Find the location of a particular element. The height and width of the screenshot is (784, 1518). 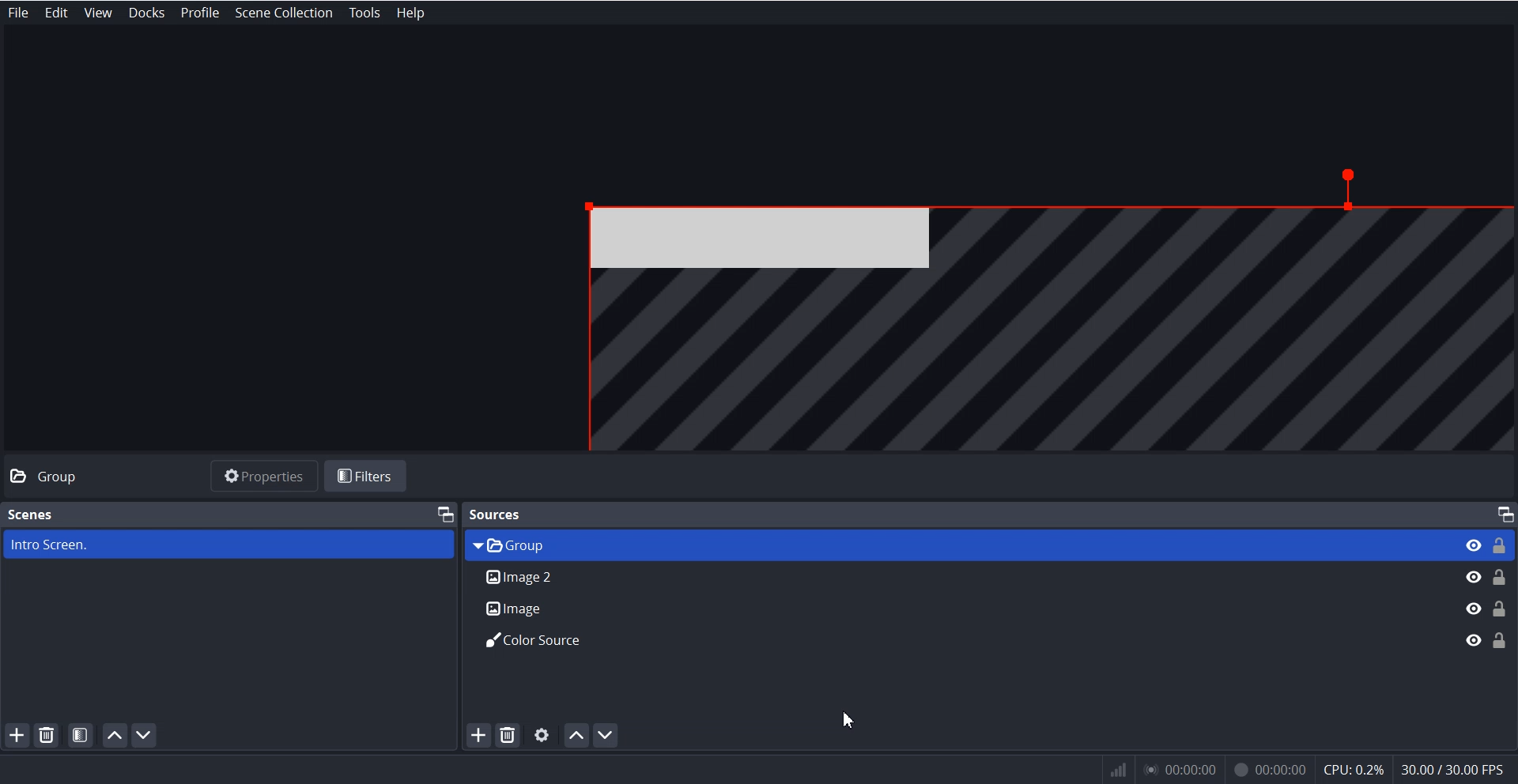

Filters is located at coordinates (368, 476).